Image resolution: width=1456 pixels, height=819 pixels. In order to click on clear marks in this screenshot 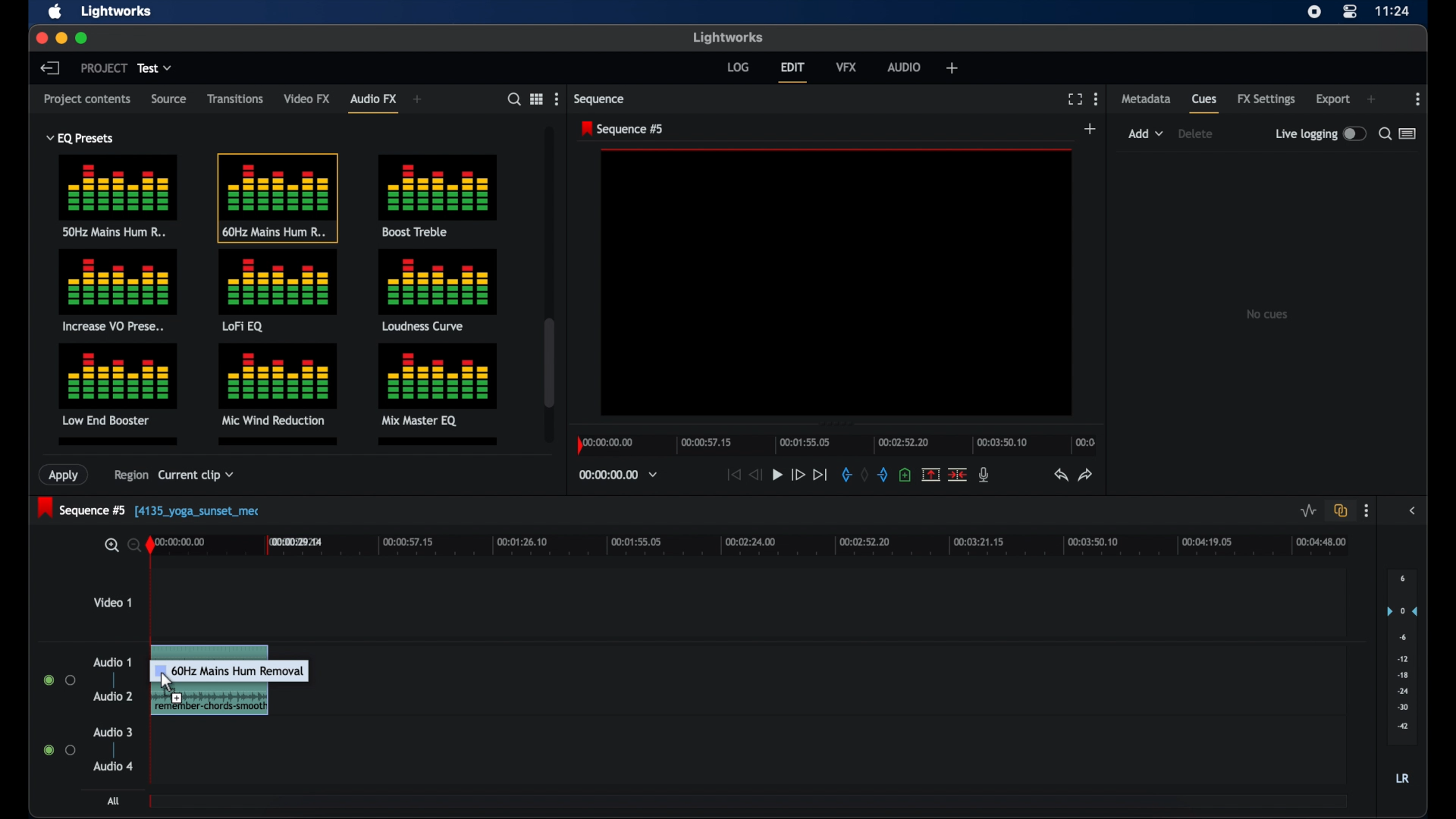, I will do `click(864, 473)`.